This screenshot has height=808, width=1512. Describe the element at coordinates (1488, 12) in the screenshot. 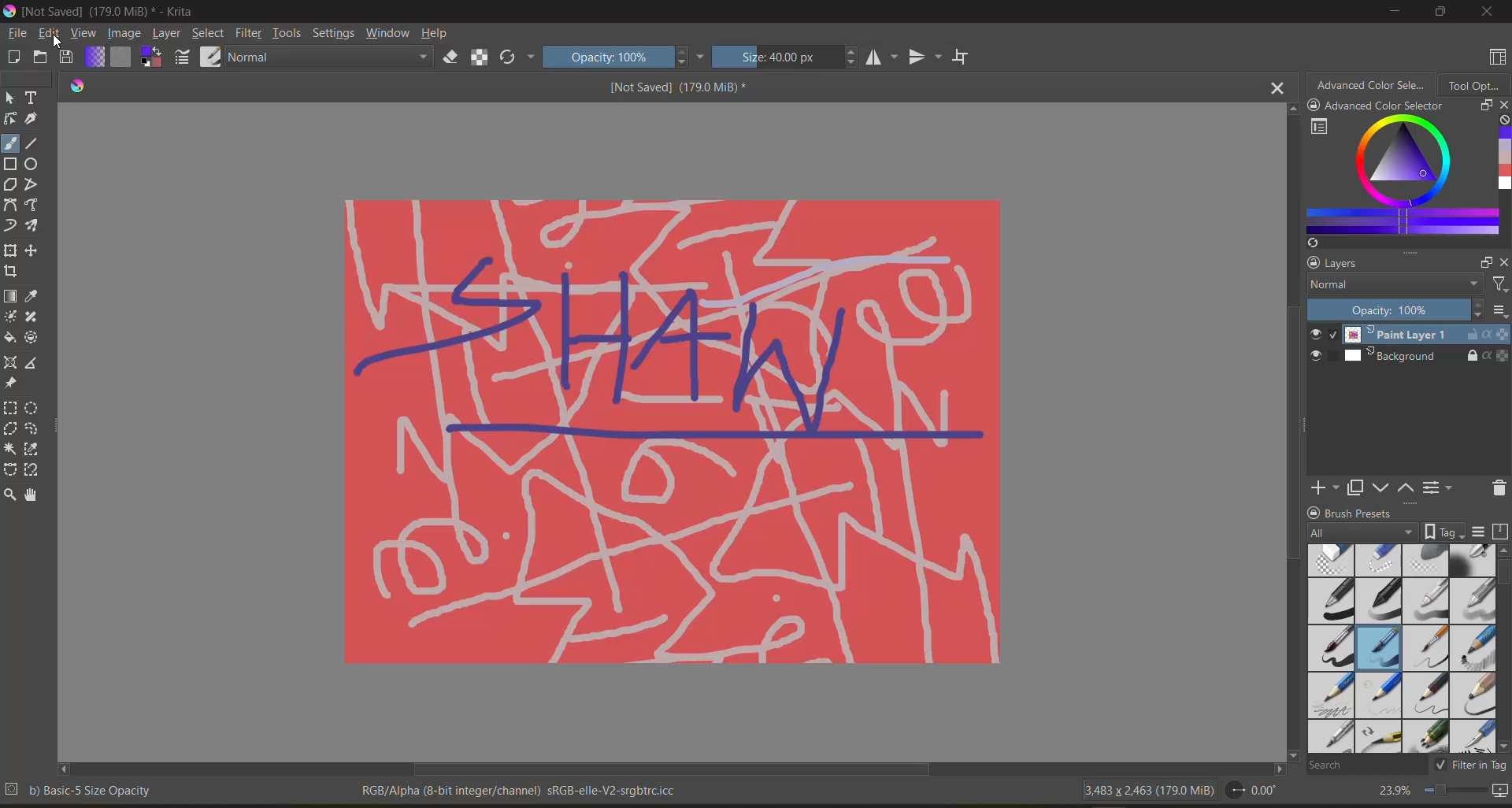

I see `close` at that location.